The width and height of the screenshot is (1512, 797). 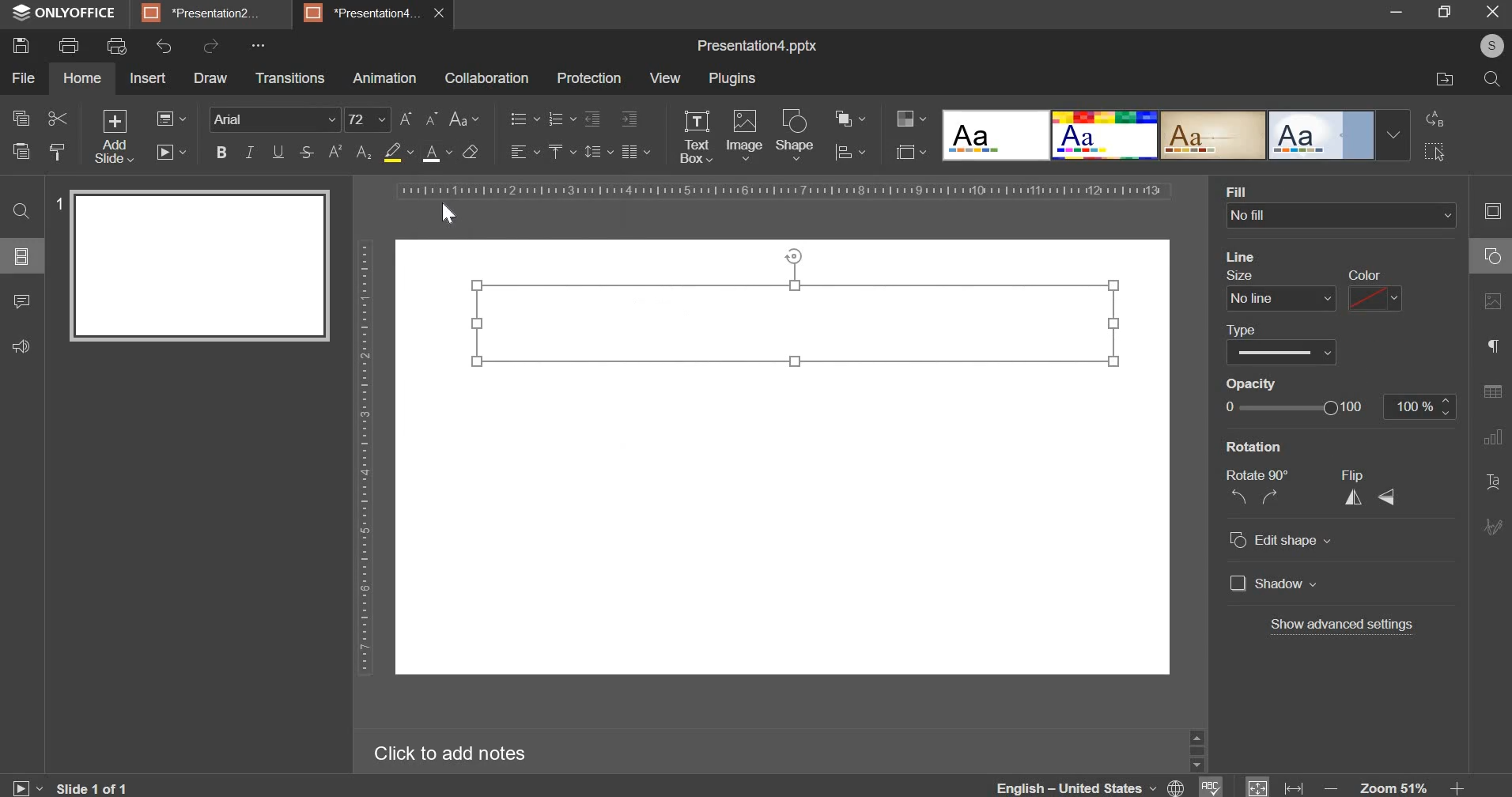 I want to click on slideshow, so click(x=170, y=152).